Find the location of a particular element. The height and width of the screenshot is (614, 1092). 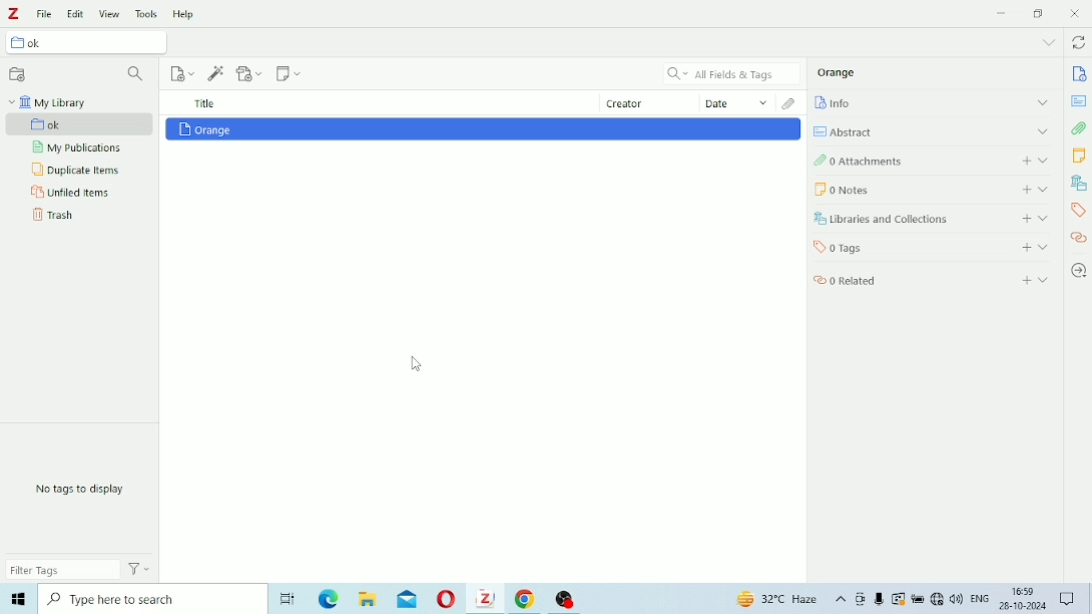

File Explorer is located at coordinates (369, 599).